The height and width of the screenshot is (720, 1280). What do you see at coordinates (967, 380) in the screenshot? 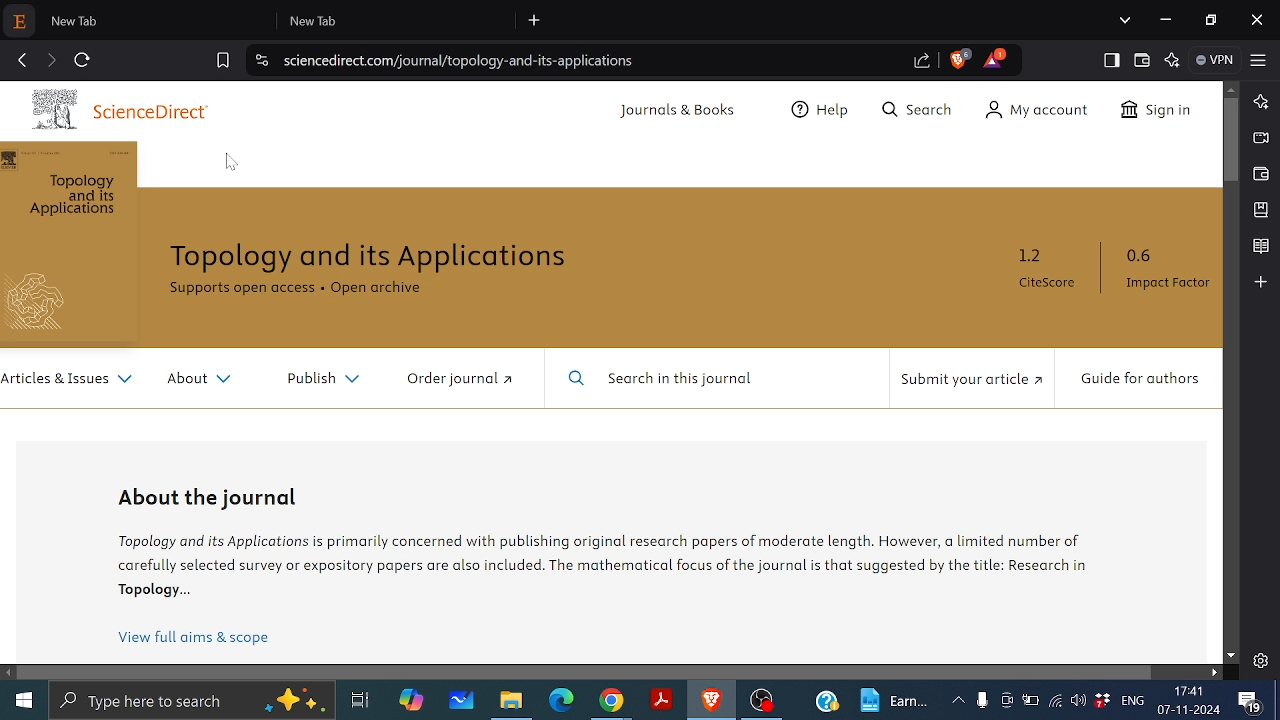
I see `Submit your article ` at bounding box center [967, 380].